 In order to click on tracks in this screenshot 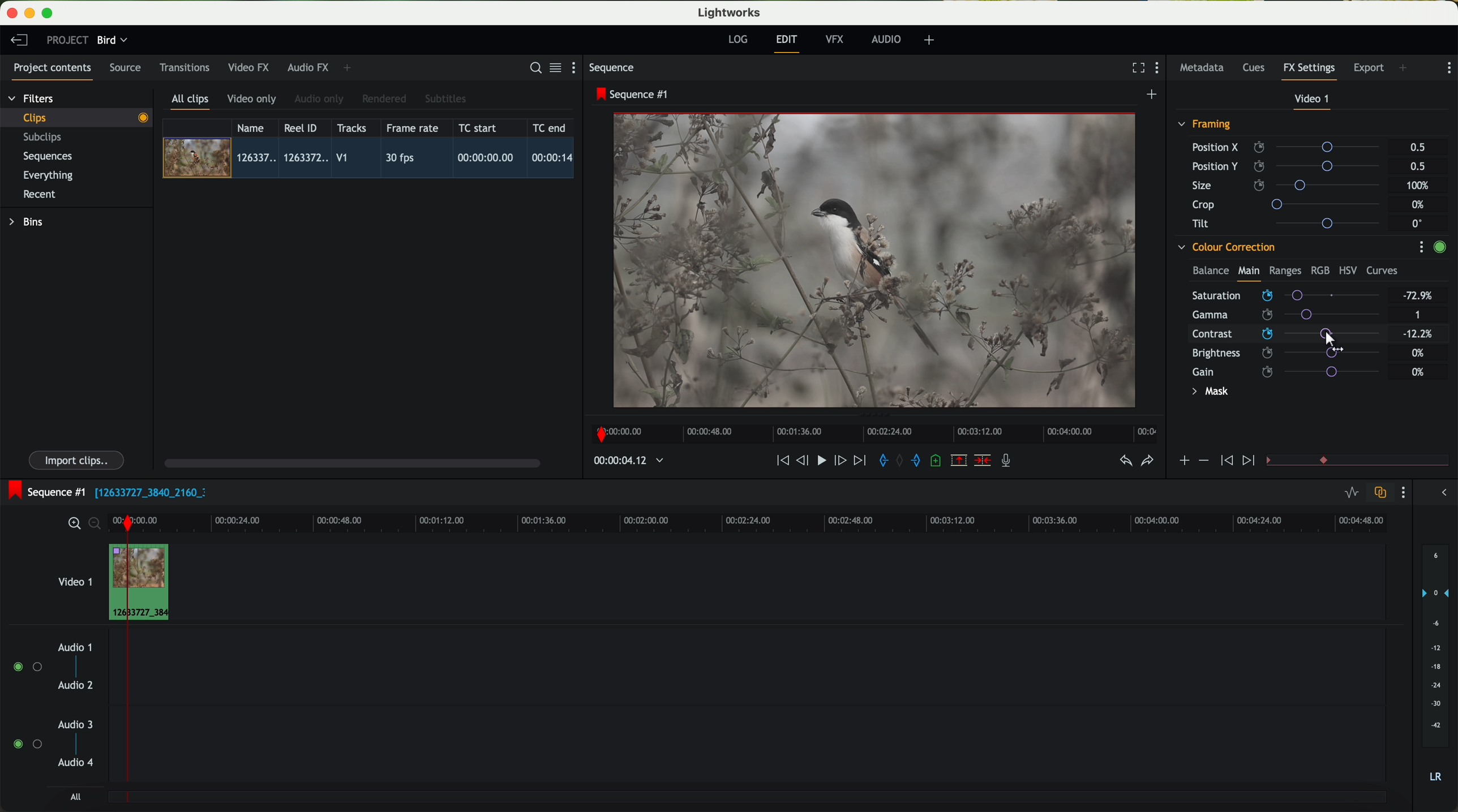, I will do `click(350, 128)`.